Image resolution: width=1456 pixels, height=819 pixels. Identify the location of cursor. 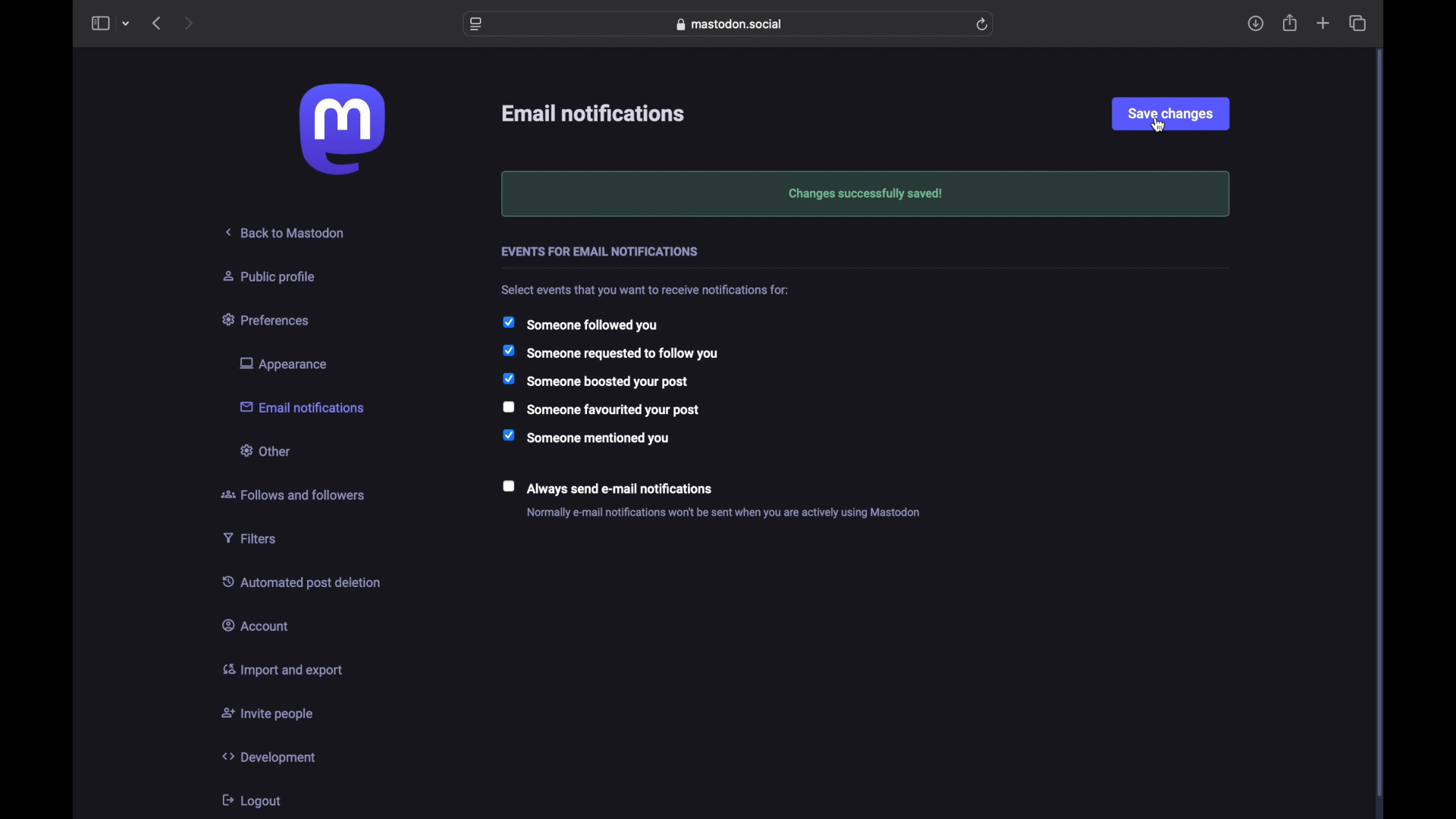
(1159, 127).